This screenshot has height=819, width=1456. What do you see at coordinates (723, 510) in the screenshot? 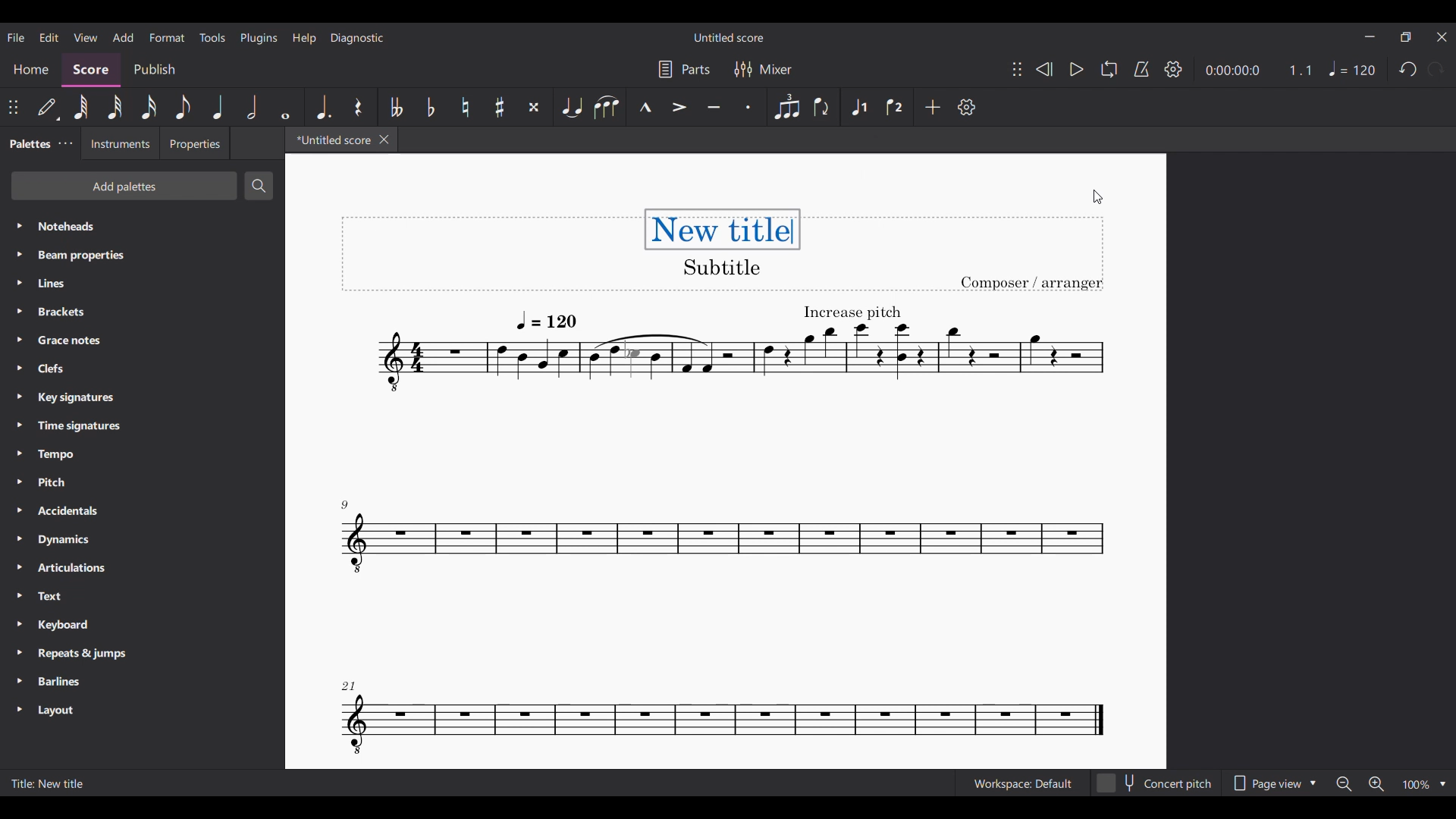
I see `Current score` at bounding box center [723, 510].